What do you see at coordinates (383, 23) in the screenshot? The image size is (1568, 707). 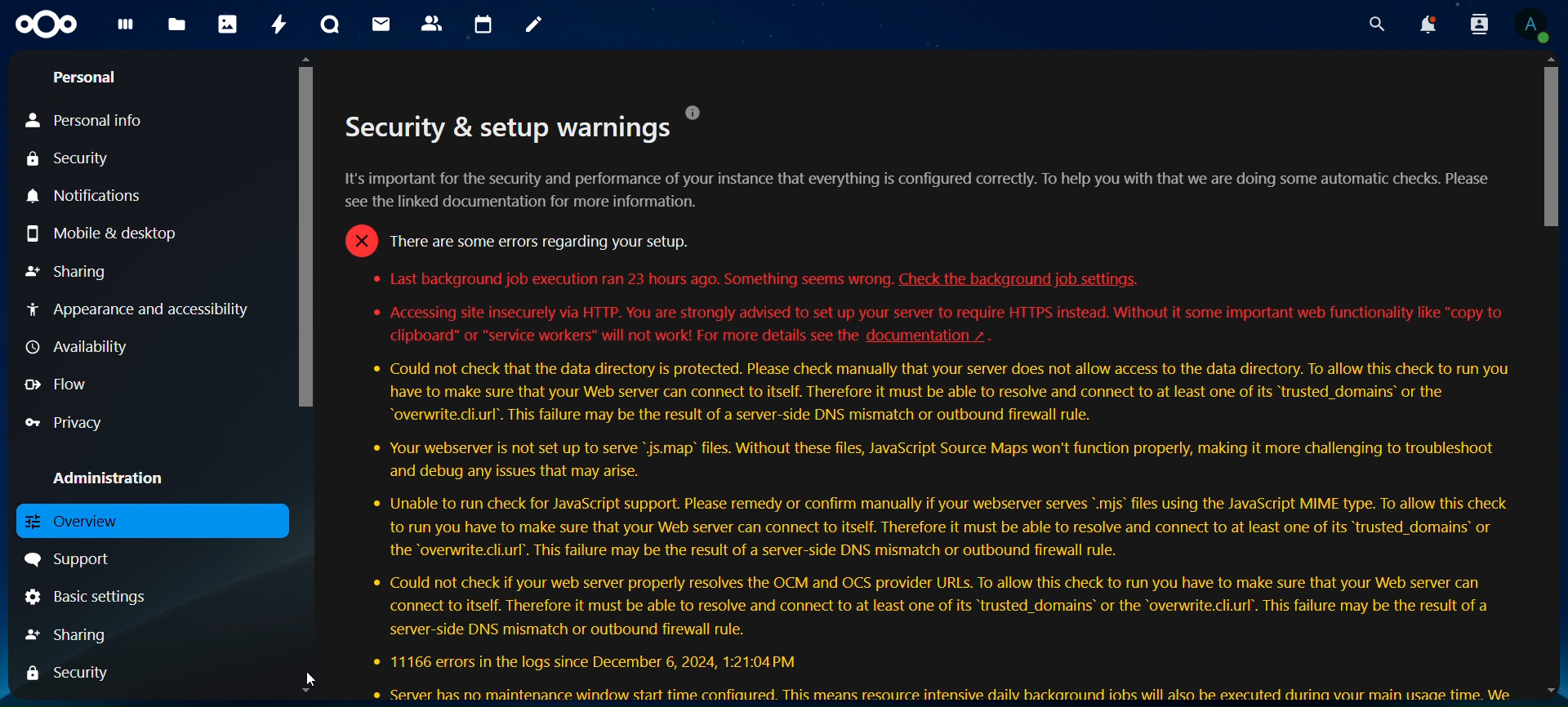 I see `mail` at bounding box center [383, 23].